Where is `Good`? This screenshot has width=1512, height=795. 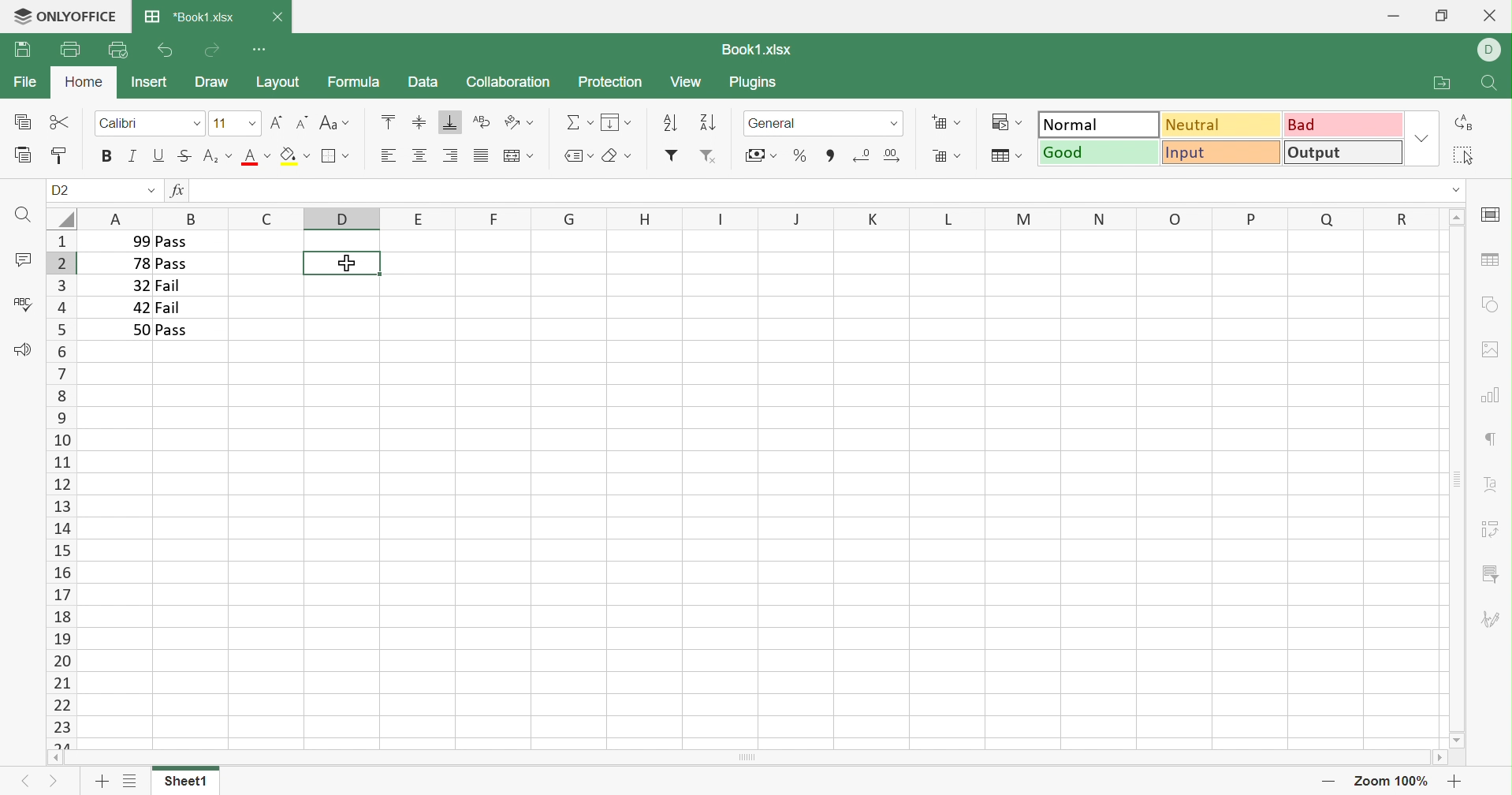
Good is located at coordinates (1099, 151).